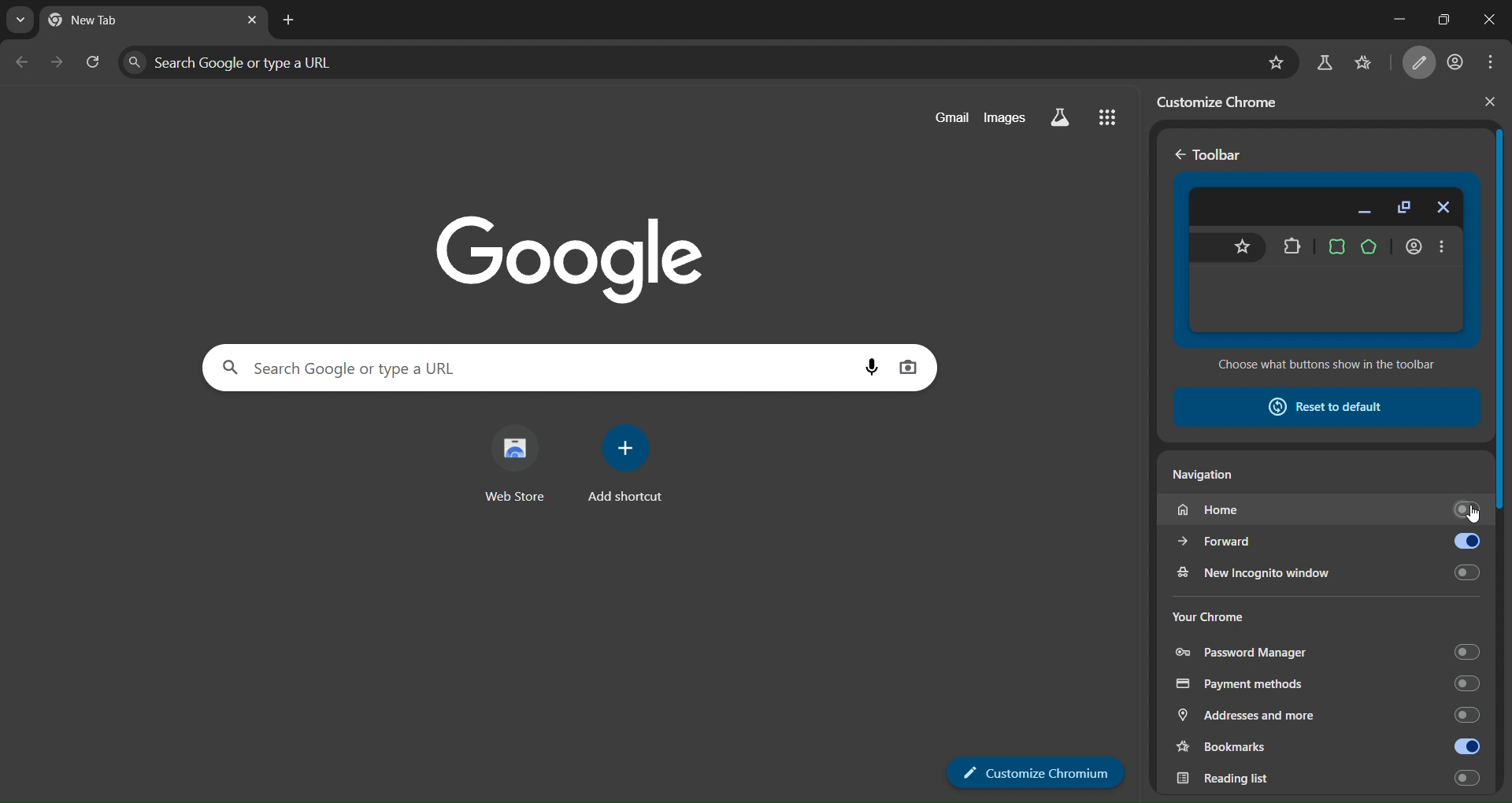 The height and width of the screenshot is (803, 1512). What do you see at coordinates (912, 364) in the screenshot?
I see `image search` at bounding box center [912, 364].